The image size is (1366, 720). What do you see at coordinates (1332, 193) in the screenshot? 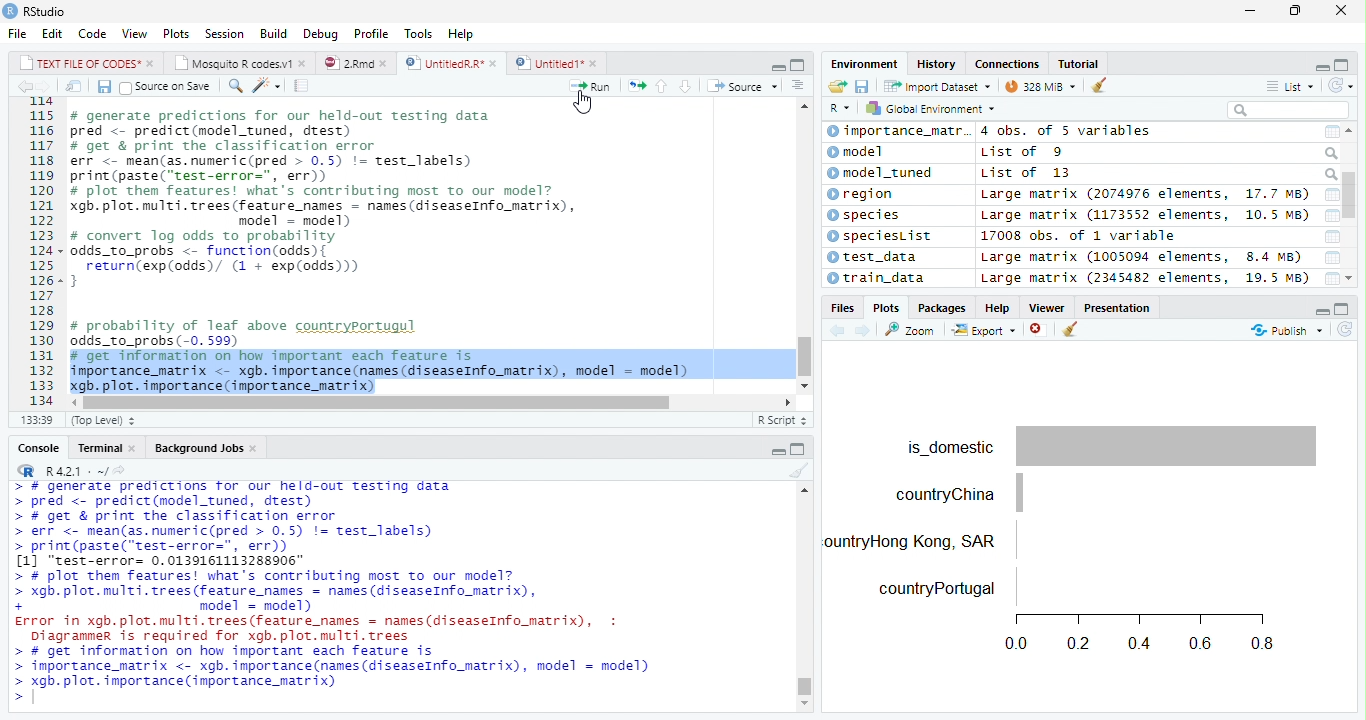
I see `Date` at bounding box center [1332, 193].